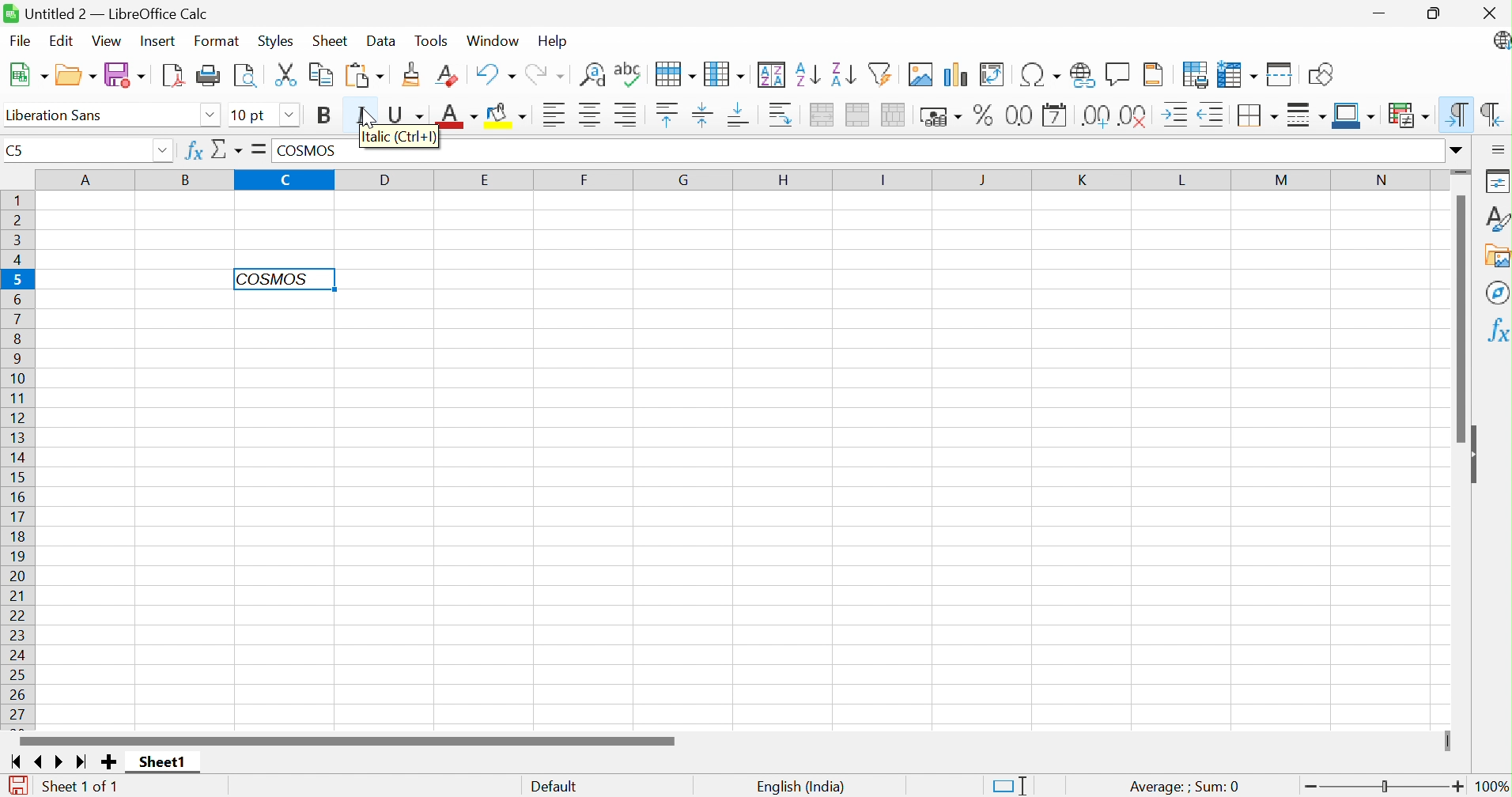  I want to click on Italic text, so click(271, 278).